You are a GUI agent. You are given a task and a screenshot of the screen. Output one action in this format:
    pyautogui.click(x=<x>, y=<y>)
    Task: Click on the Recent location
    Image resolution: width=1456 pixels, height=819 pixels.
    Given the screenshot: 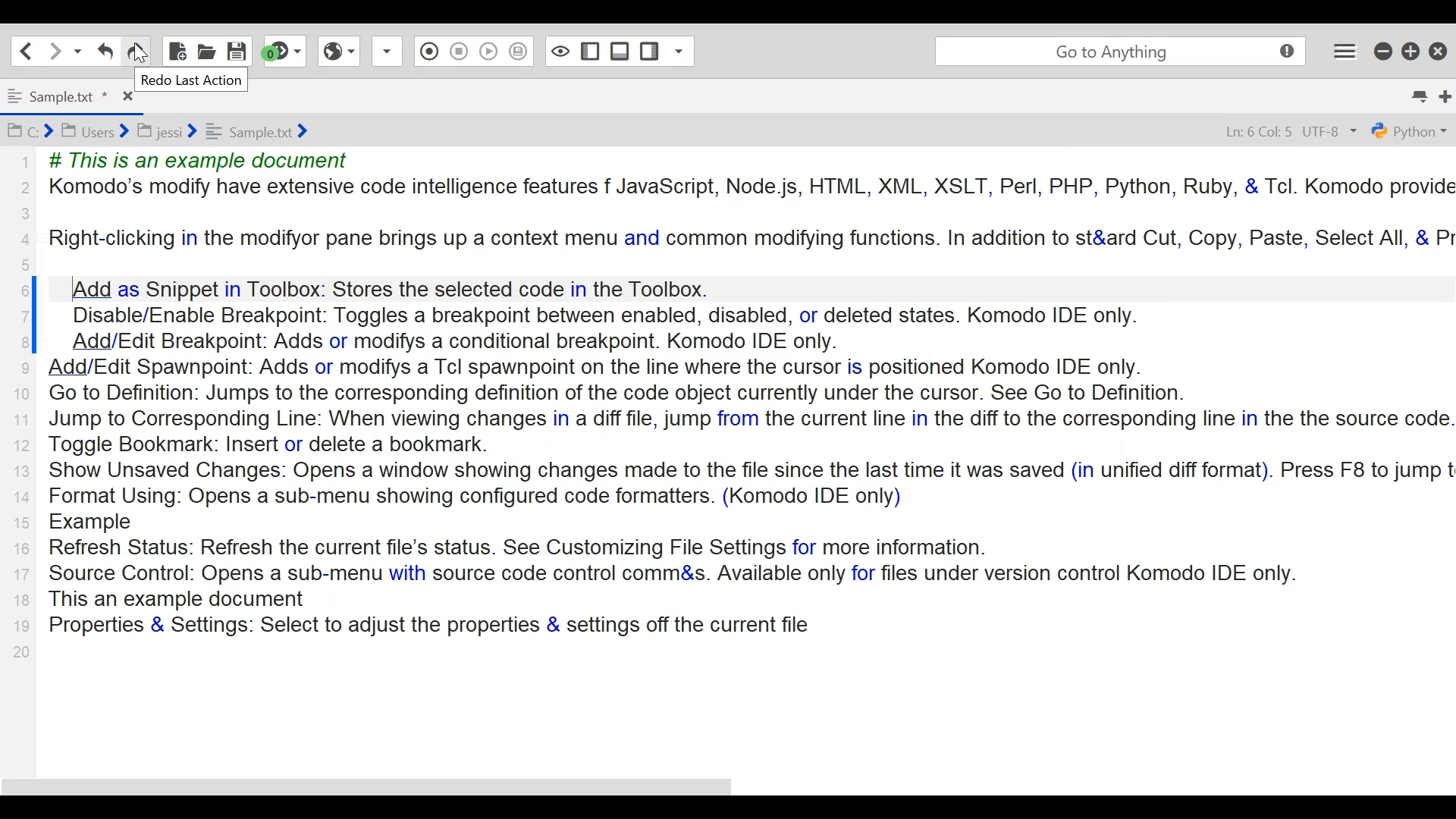 What is the action you would take?
    pyautogui.click(x=76, y=50)
    